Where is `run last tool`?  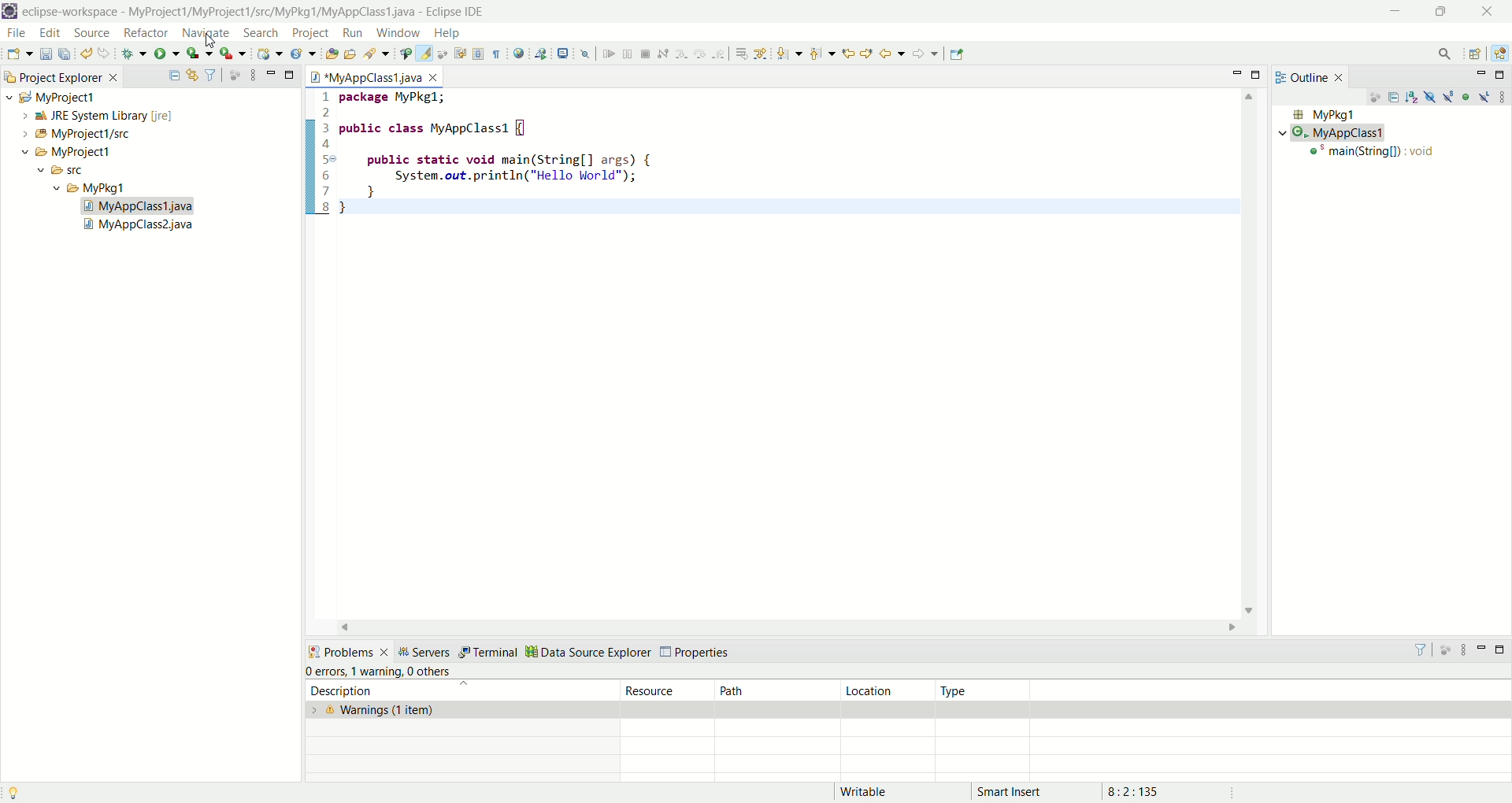
run last tool is located at coordinates (232, 55).